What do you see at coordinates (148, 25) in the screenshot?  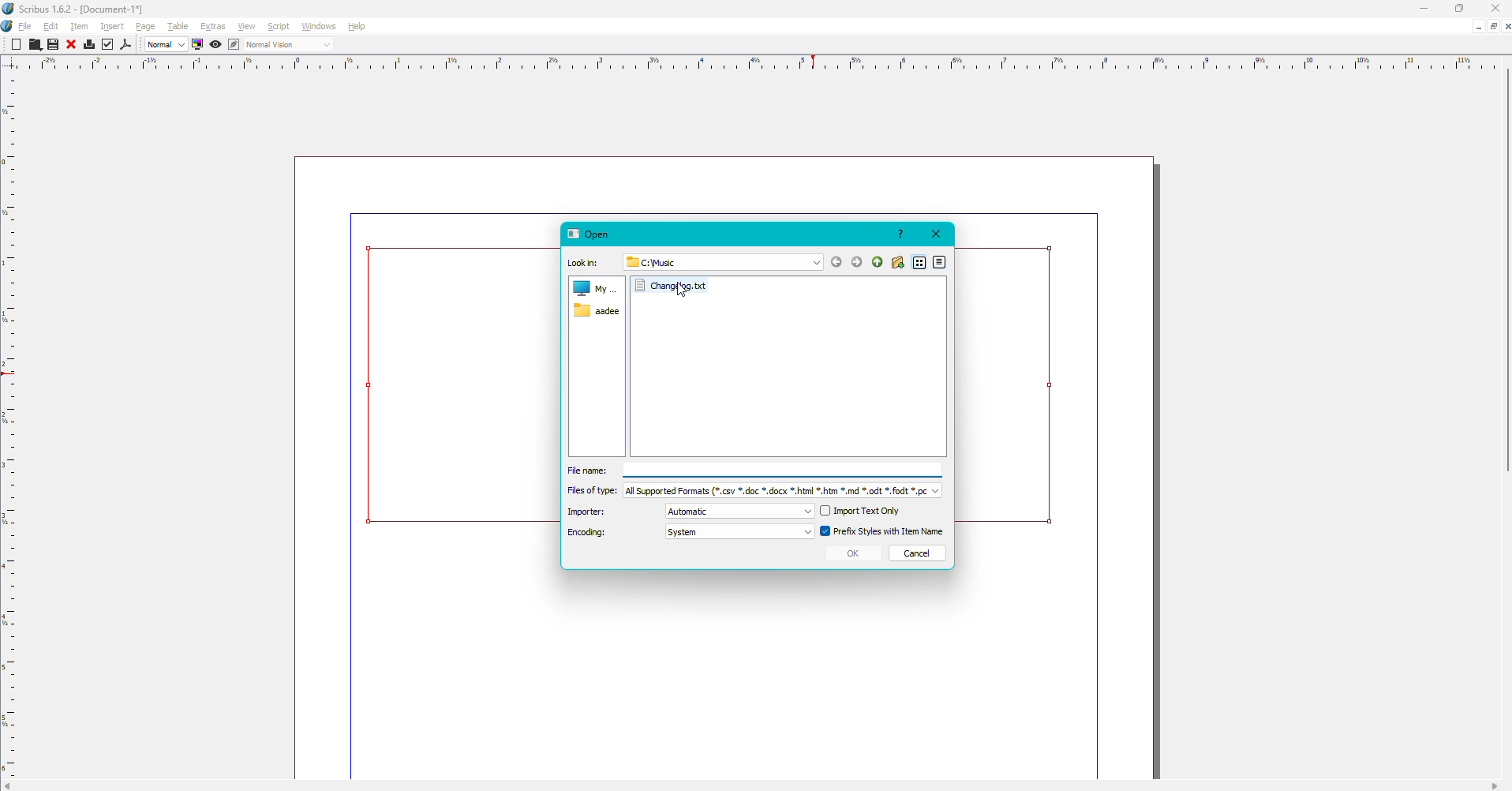 I see `Page` at bounding box center [148, 25].